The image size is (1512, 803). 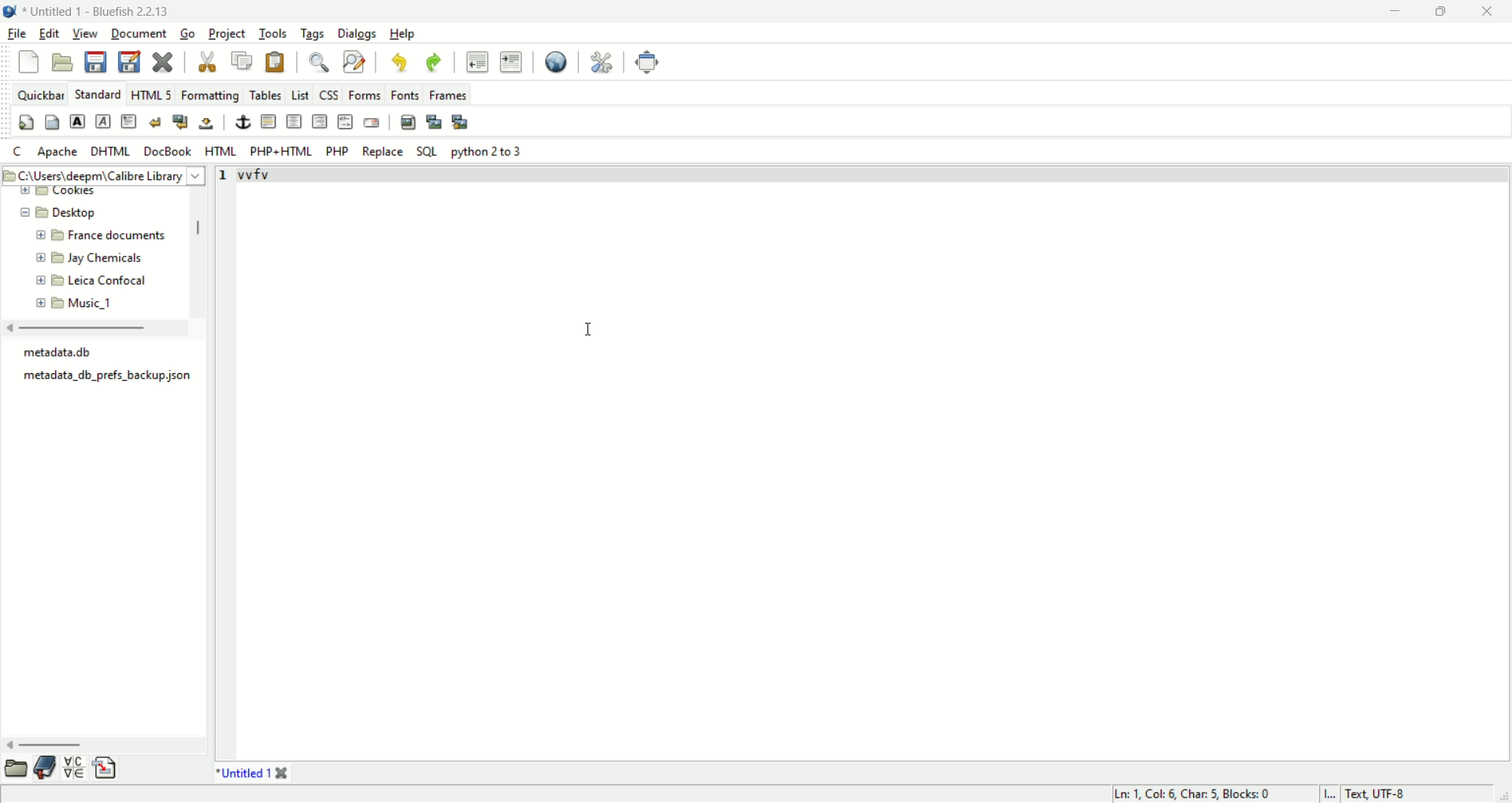 What do you see at coordinates (318, 63) in the screenshot?
I see `show find bar` at bounding box center [318, 63].